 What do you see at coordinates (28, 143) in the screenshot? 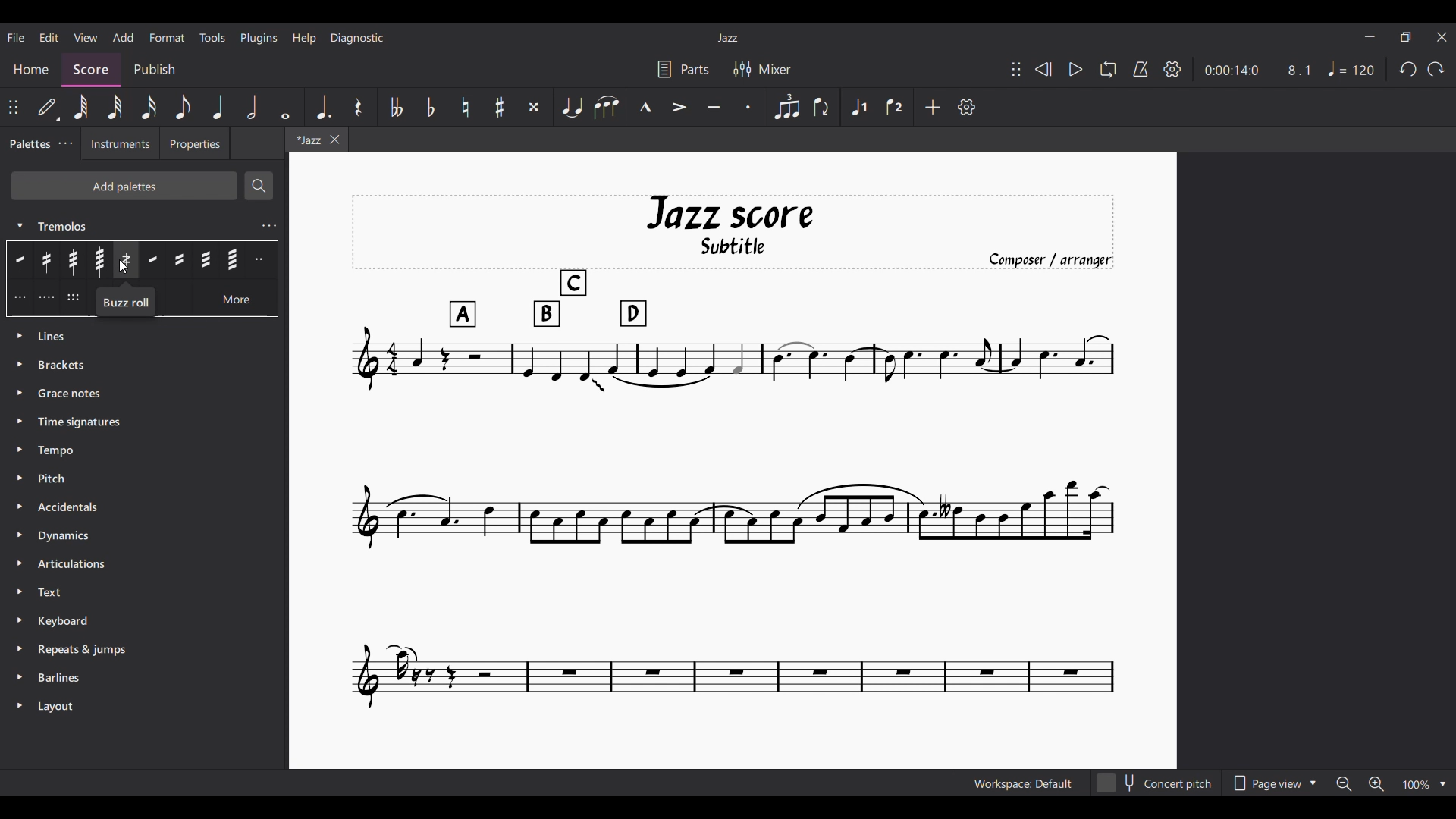
I see `Palettes` at bounding box center [28, 143].